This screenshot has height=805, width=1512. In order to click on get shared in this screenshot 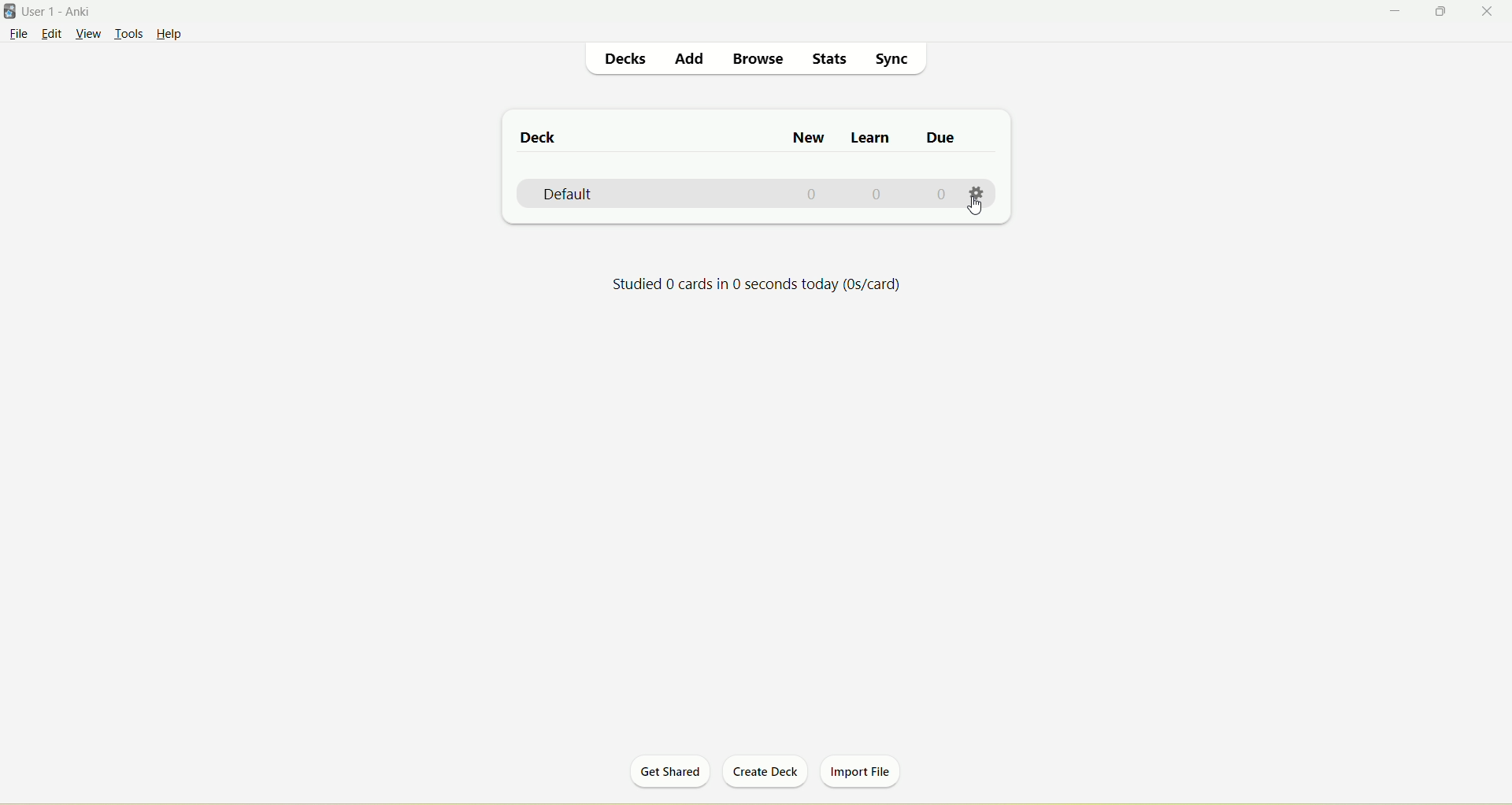, I will do `click(665, 773)`.